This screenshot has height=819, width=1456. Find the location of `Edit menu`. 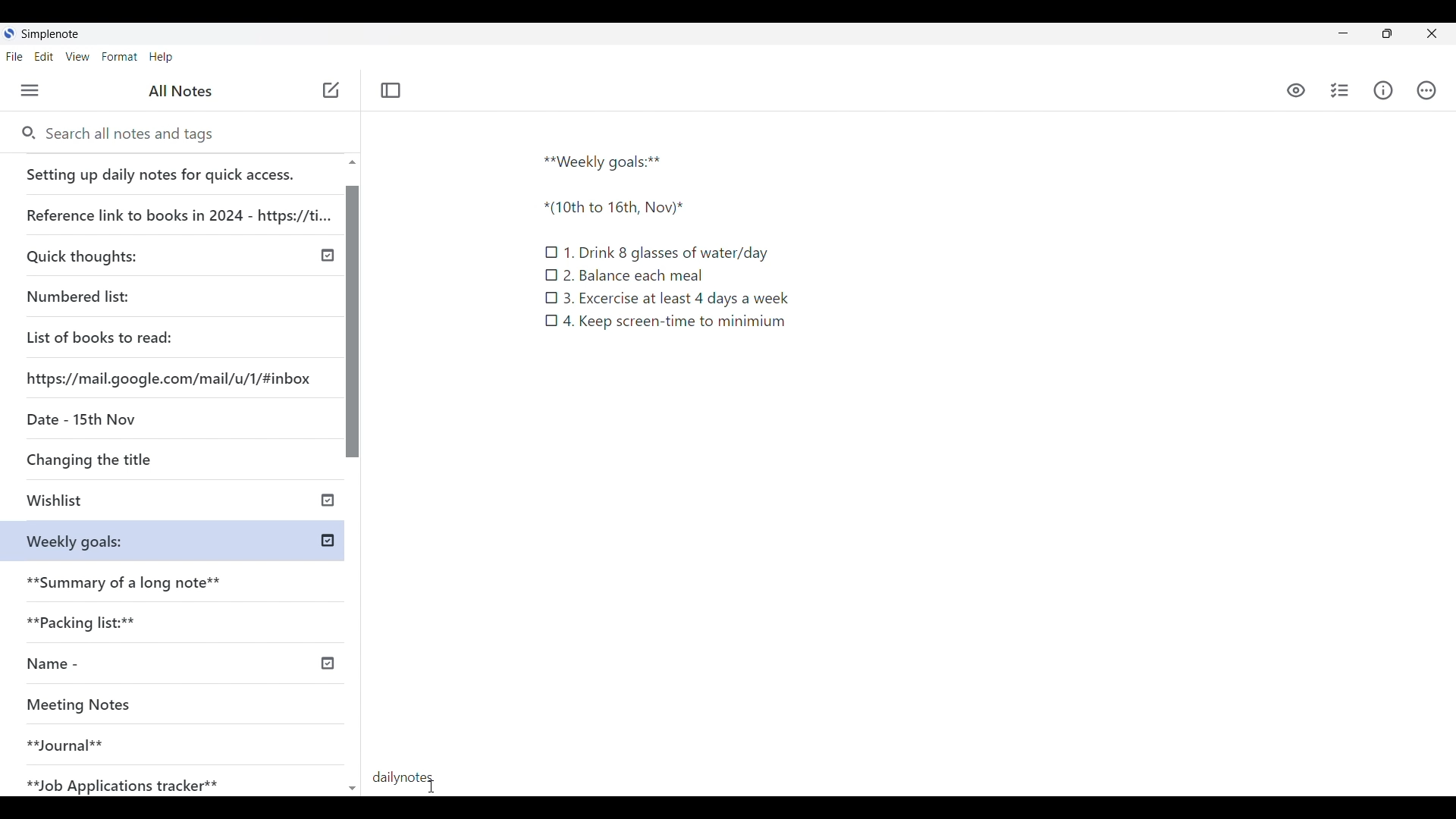

Edit menu is located at coordinates (44, 57).